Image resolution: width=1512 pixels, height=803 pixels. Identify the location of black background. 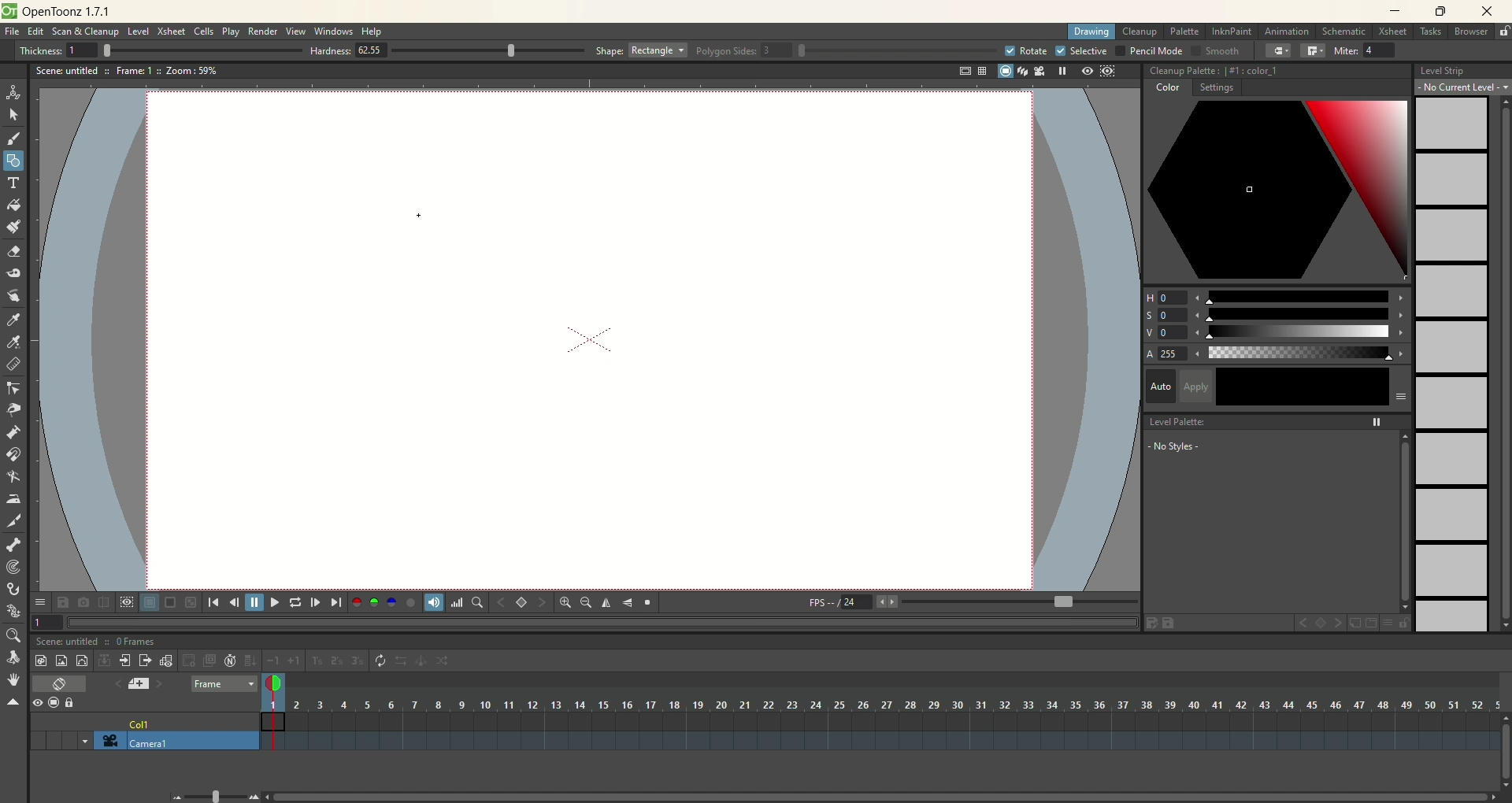
(170, 603).